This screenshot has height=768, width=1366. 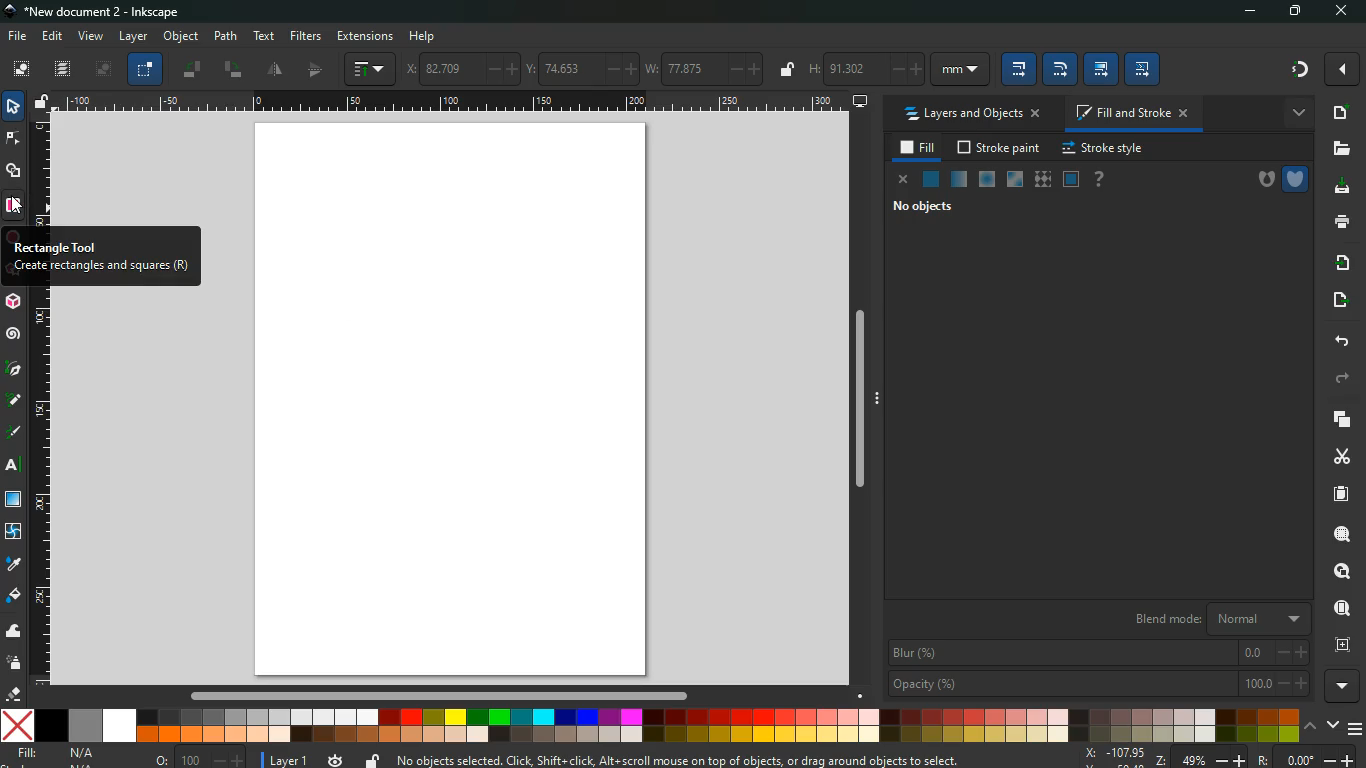 I want to click on inkscape, so click(x=111, y=11).